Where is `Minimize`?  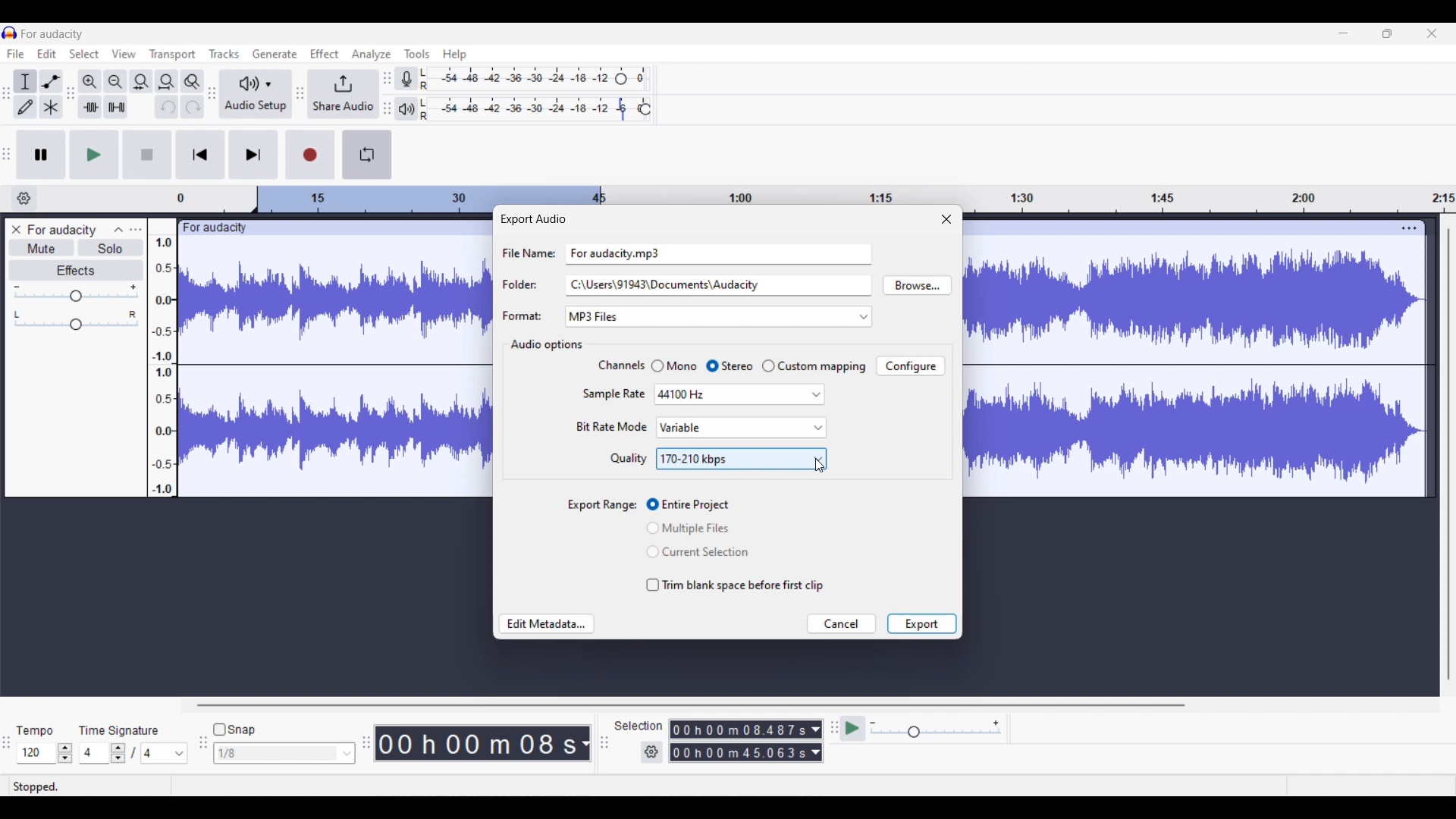 Minimize is located at coordinates (1343, 33).